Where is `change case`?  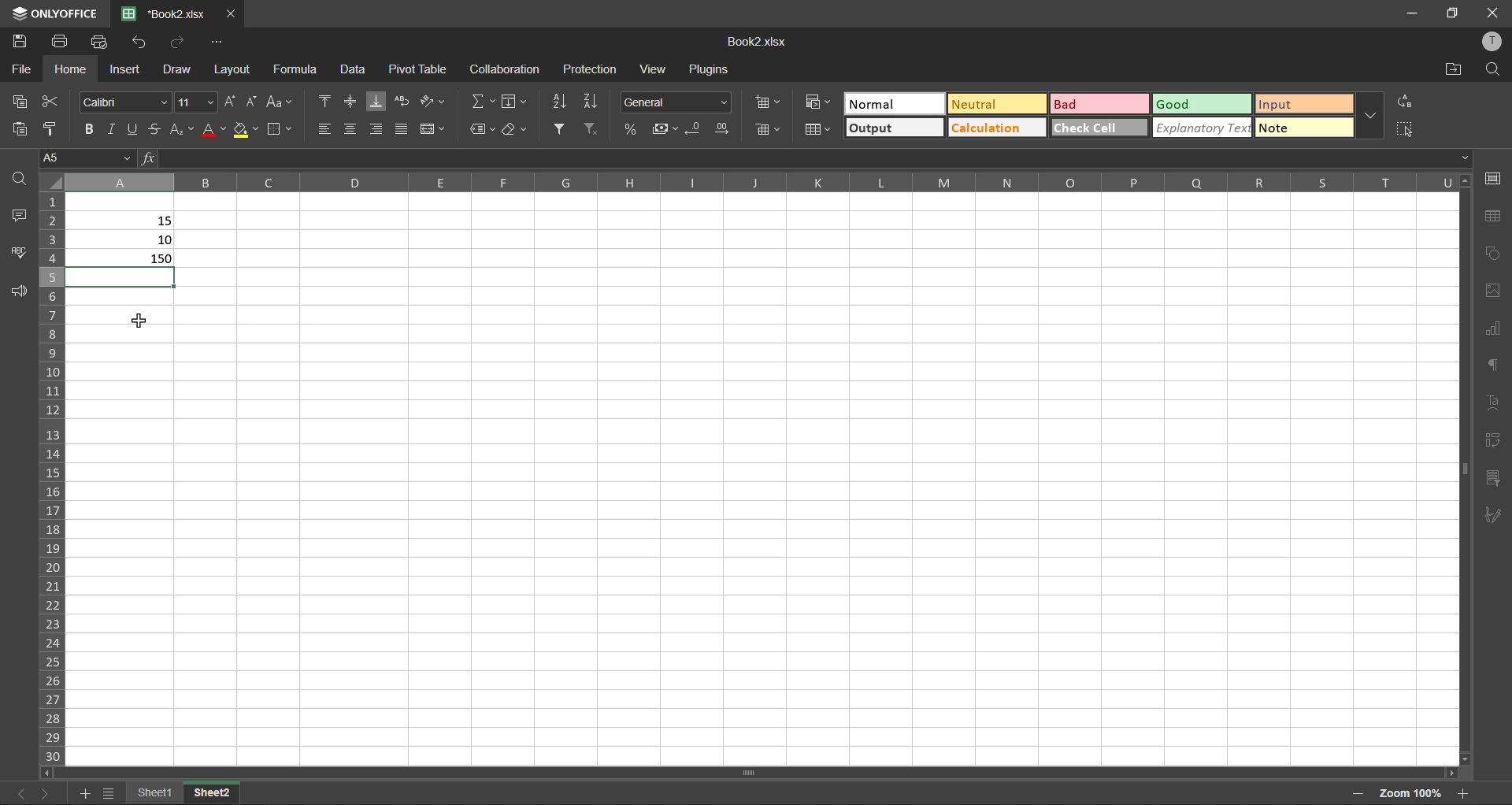 change case is located at coordinates (277, 101).